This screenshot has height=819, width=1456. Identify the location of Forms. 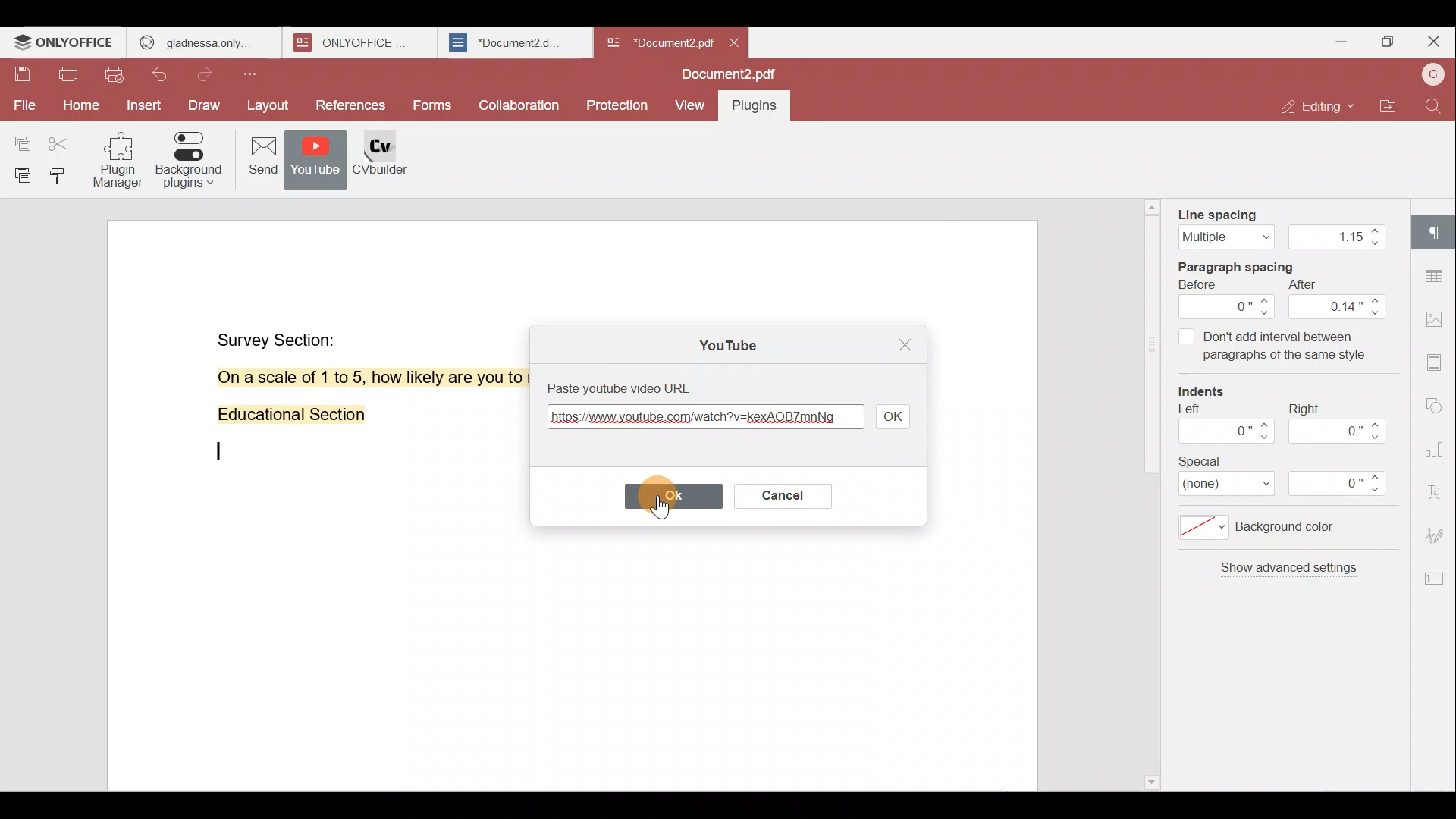
(434, 106).